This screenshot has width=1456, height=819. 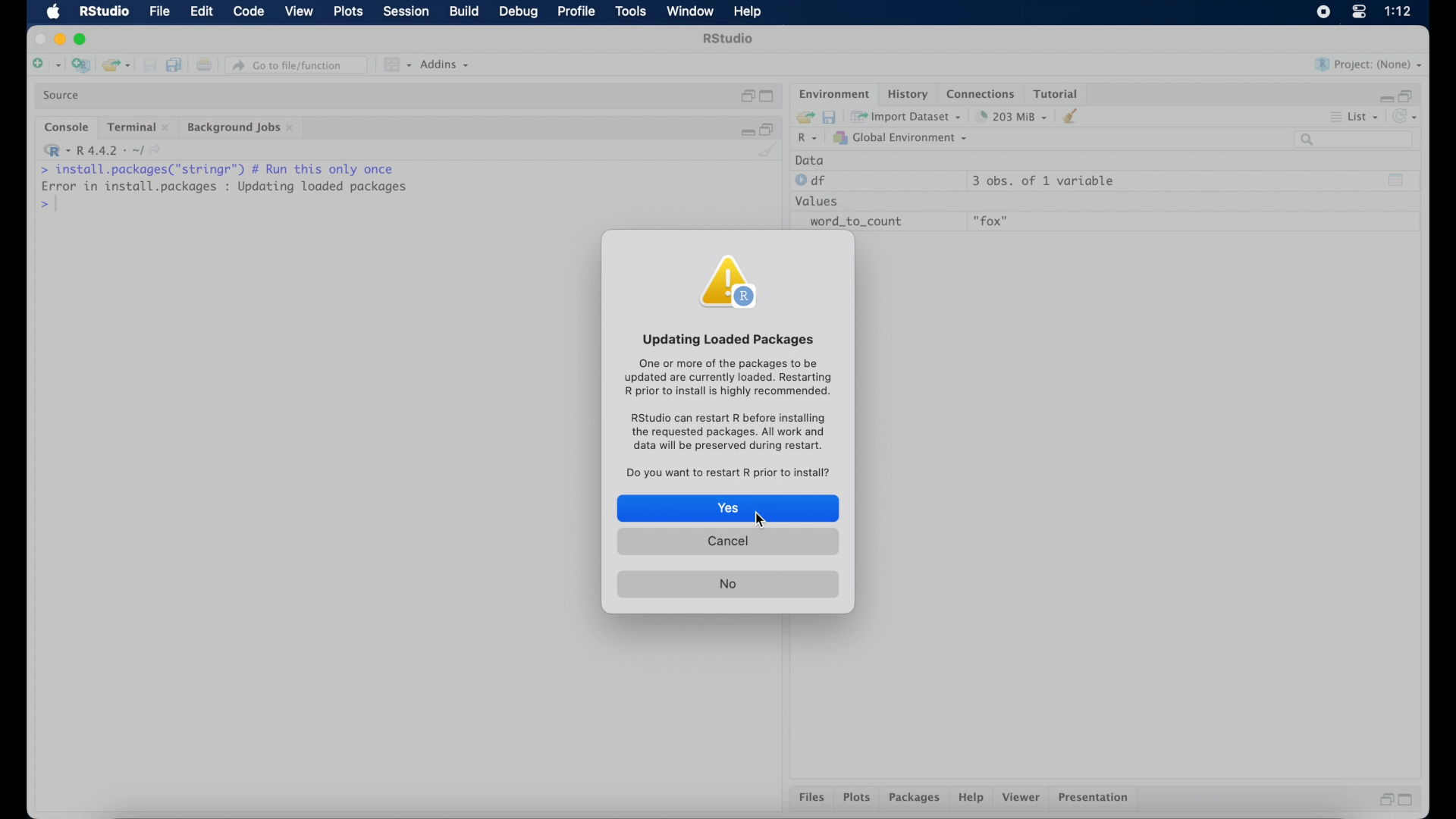 I want to click on 203 MB, so click(x=1013, y=117).